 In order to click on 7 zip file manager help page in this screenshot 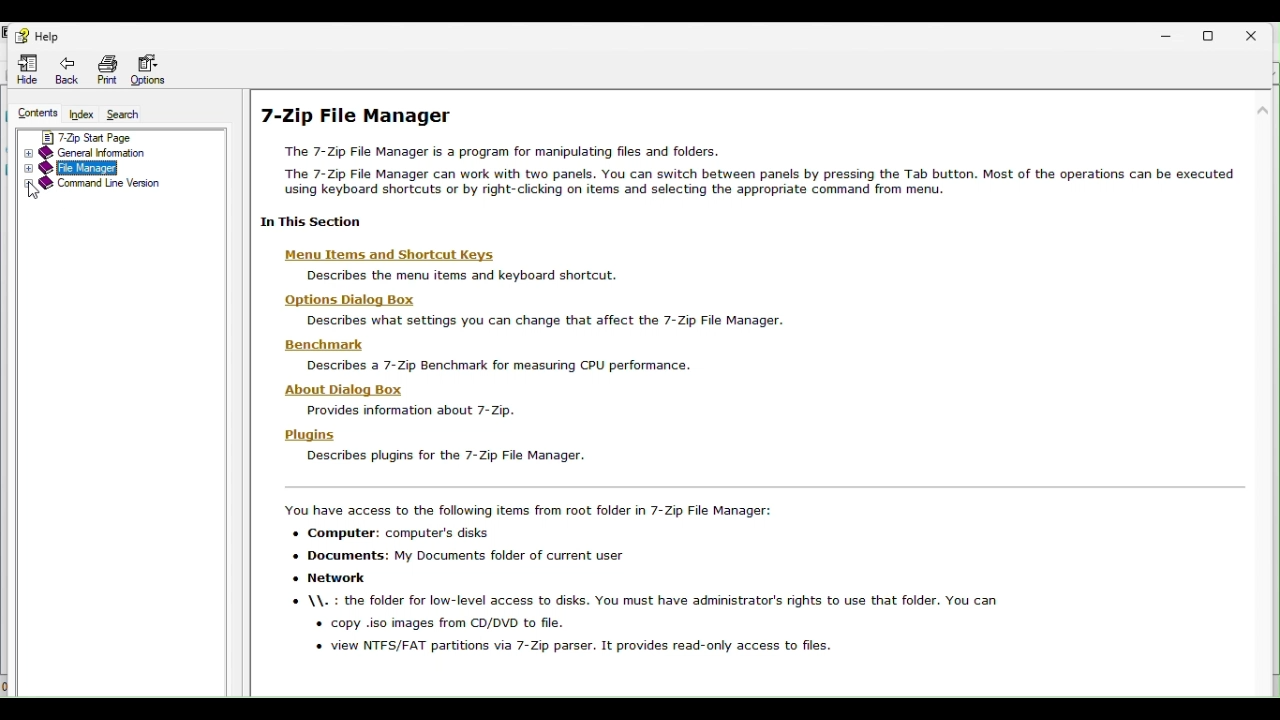, I will do `click(764, 160)`.